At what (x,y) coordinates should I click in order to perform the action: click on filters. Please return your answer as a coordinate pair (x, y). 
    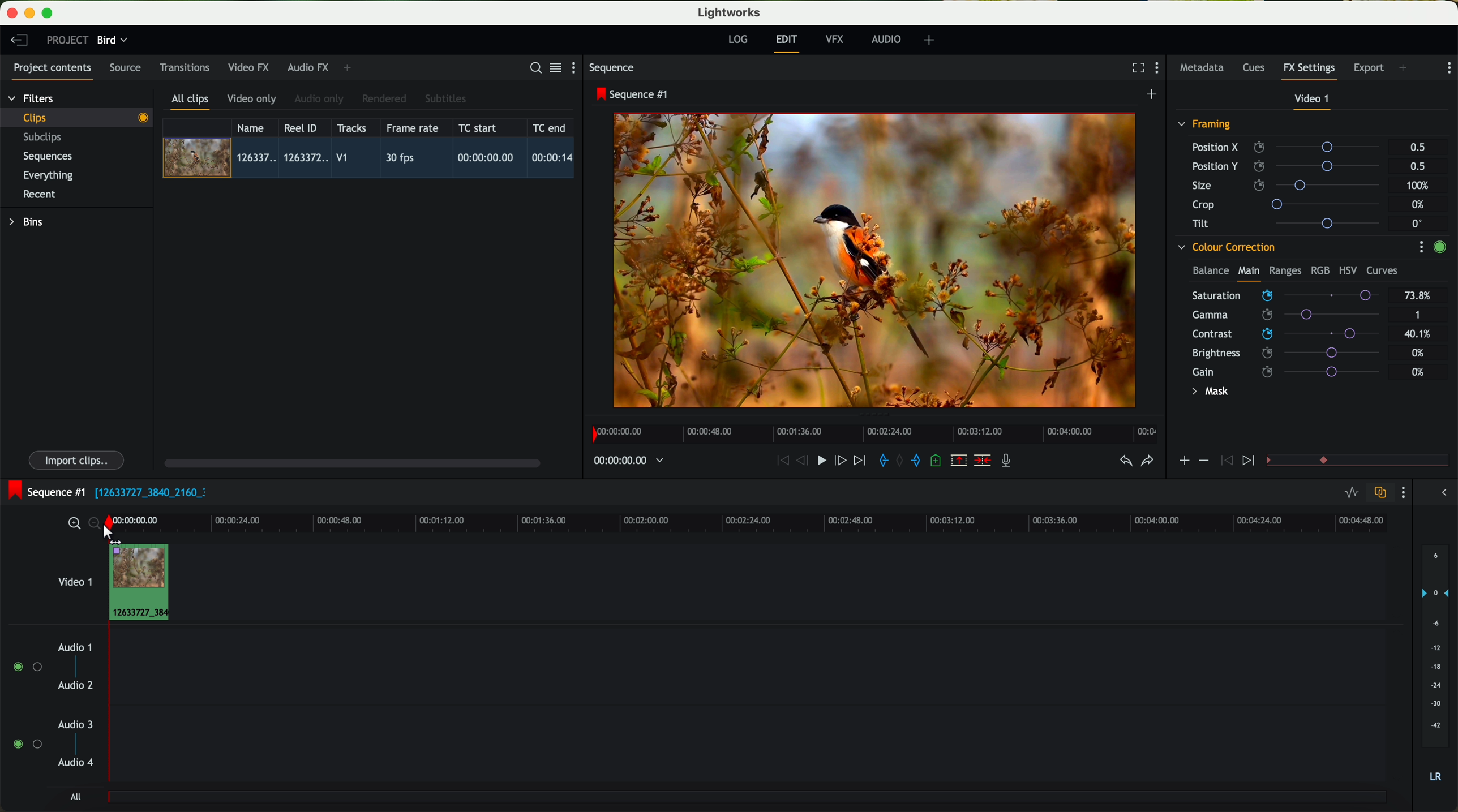
    Looking at the image, I should click on (32, 98).